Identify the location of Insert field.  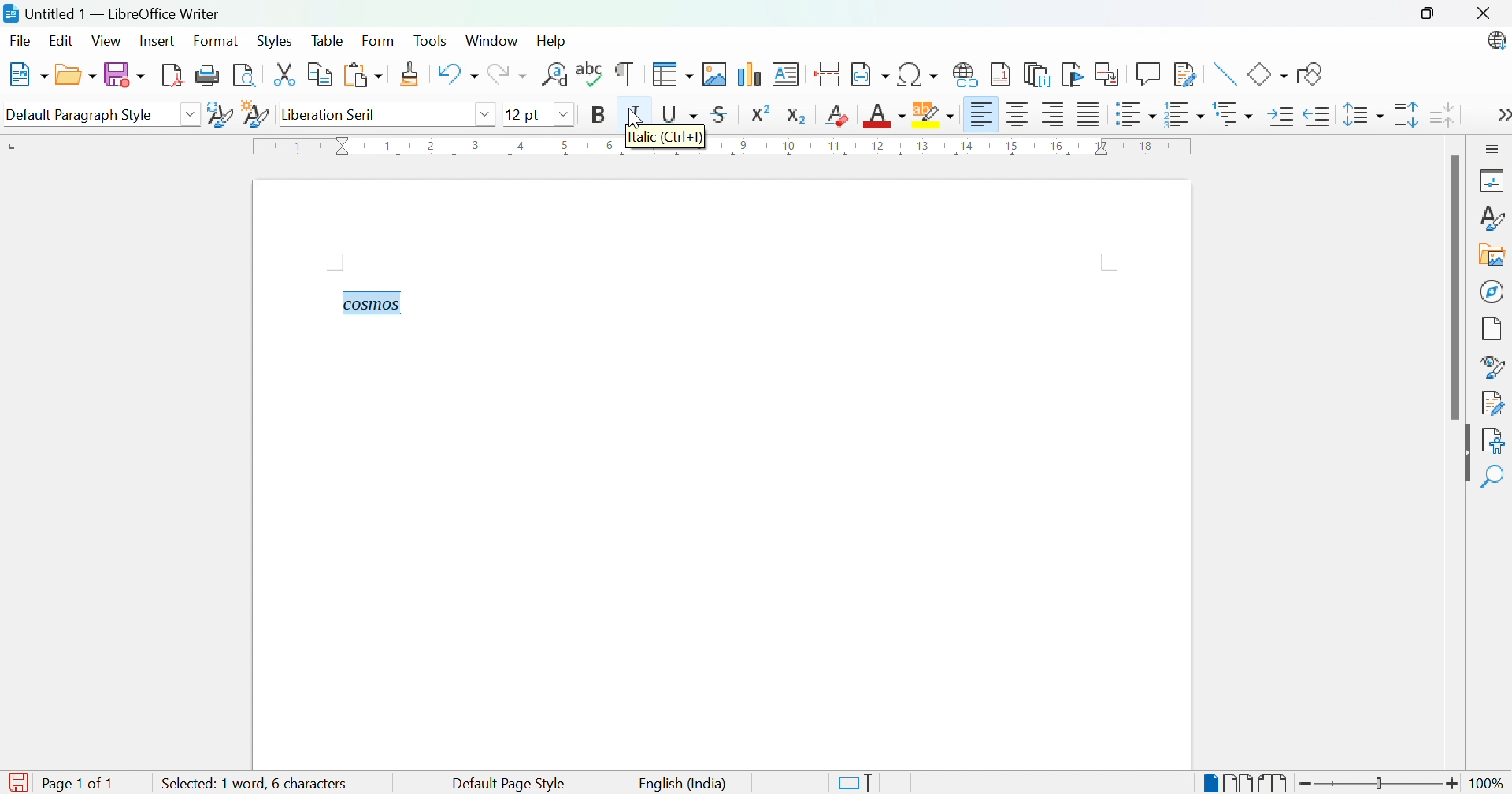
(870, 72).